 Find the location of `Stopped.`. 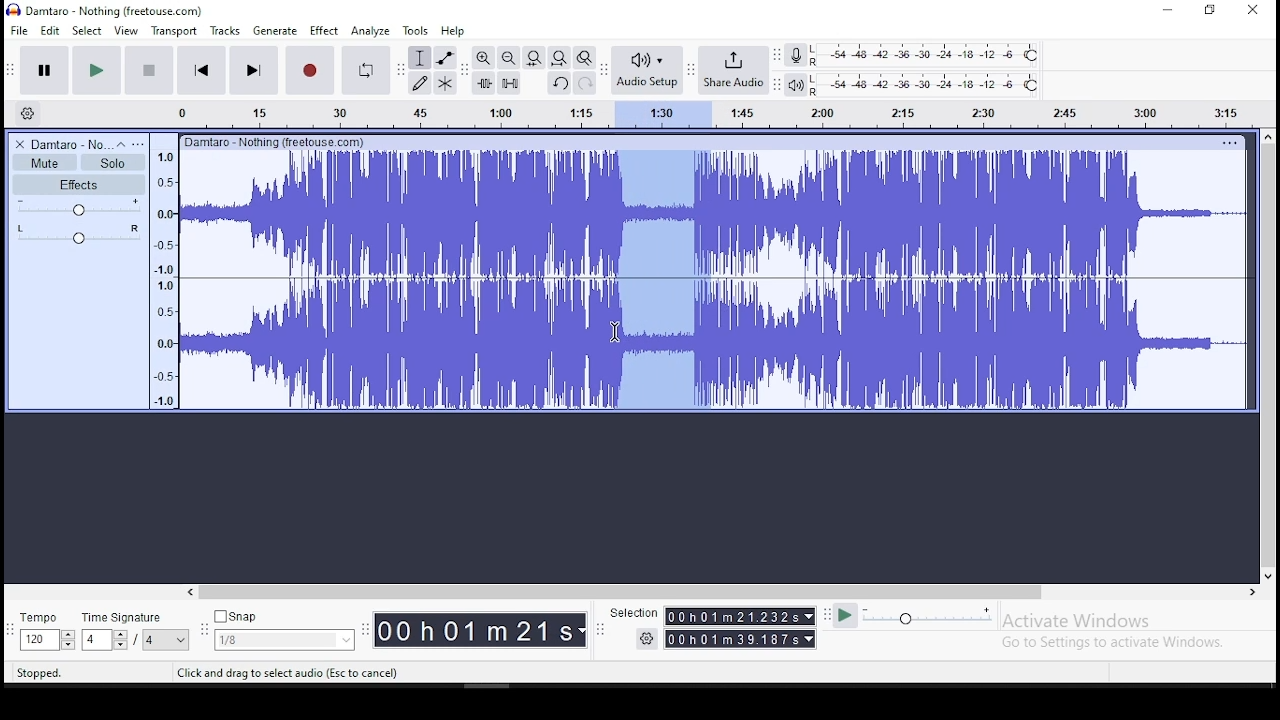

Stopped. is located at coordinates (38, 672).